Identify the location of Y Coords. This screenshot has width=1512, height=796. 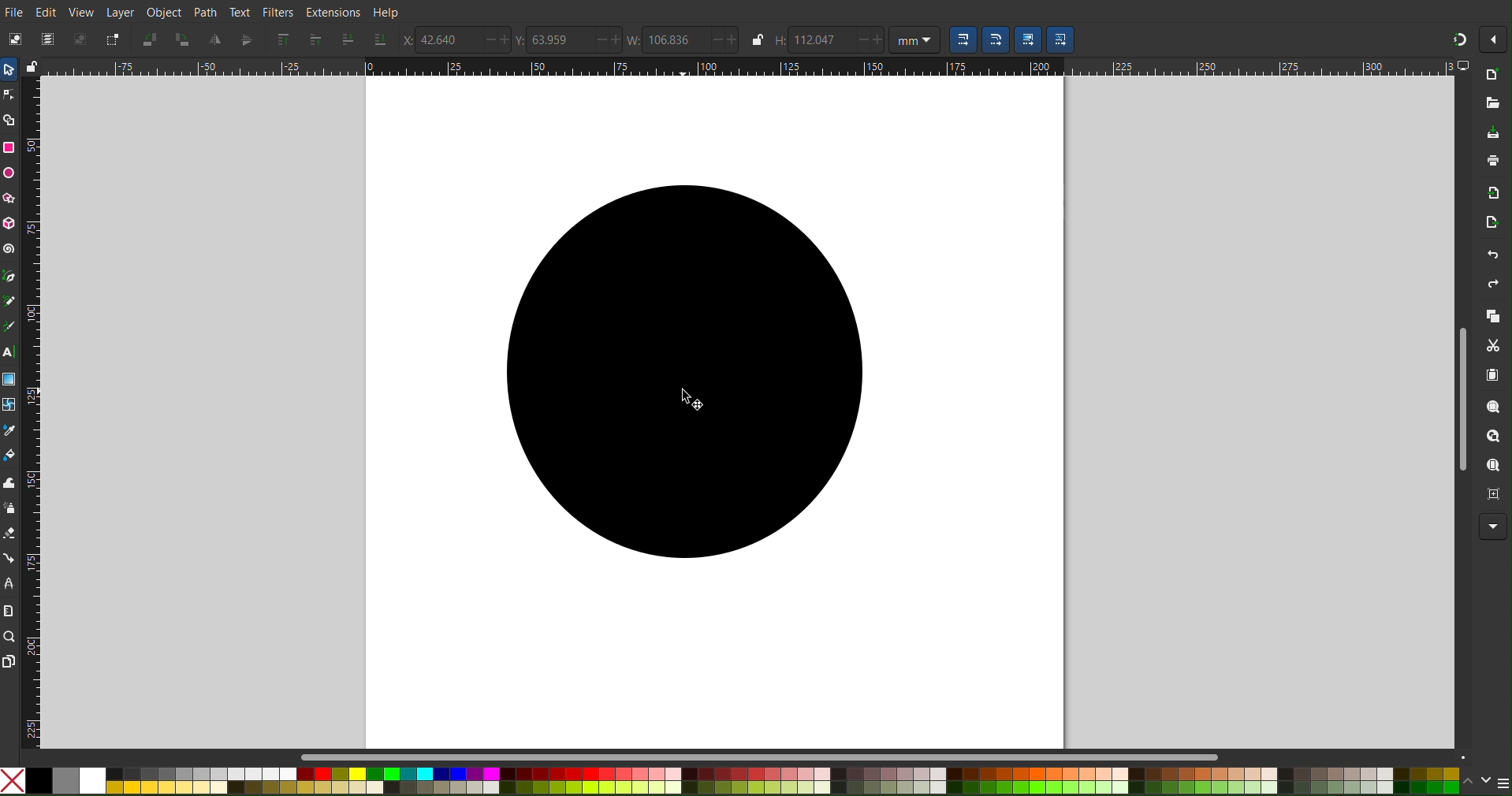
(523, 39).